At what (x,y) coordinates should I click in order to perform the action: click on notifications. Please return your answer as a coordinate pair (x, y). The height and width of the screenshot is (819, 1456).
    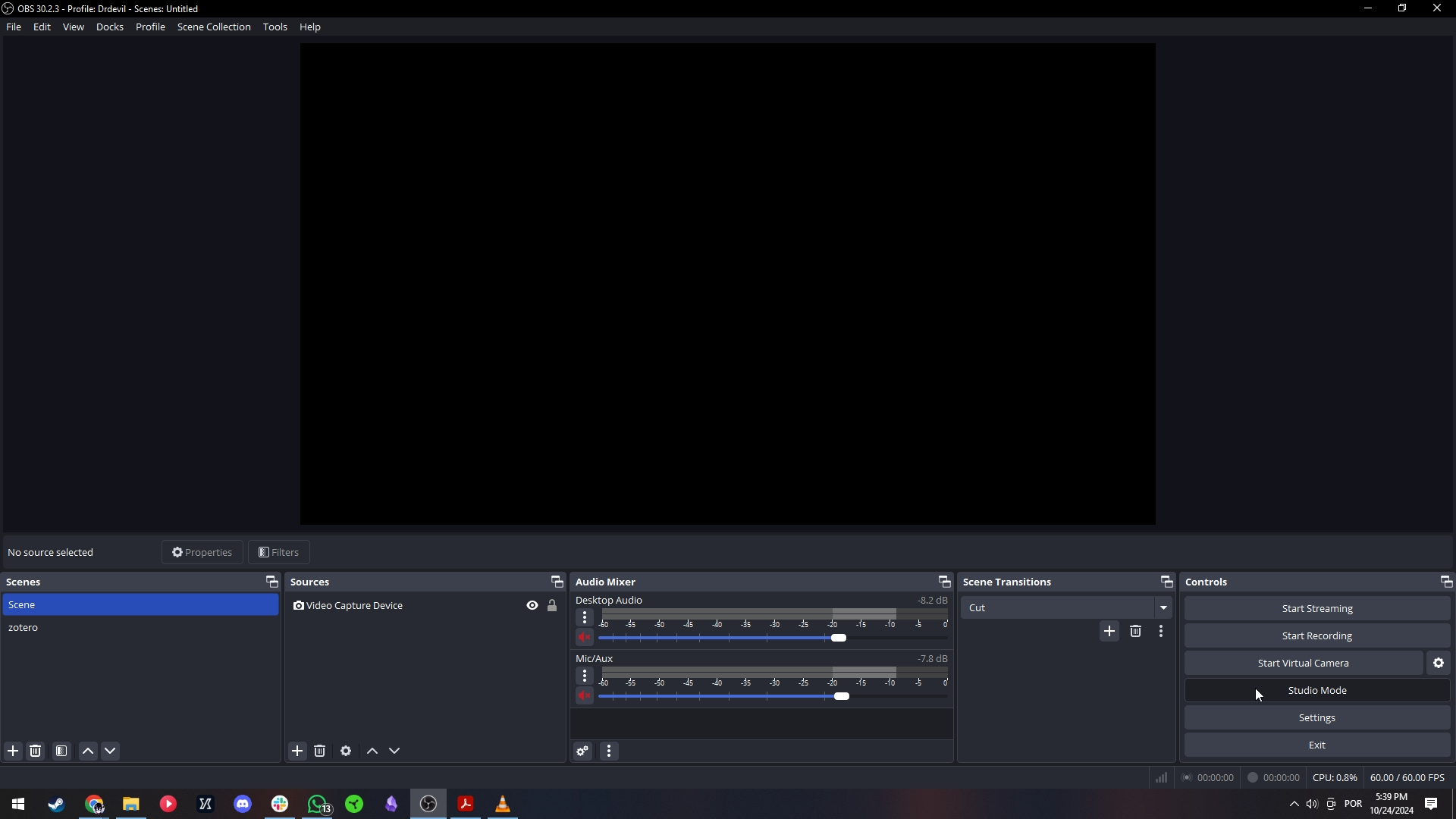
    Looking at the image, I should click on (1435, 805).